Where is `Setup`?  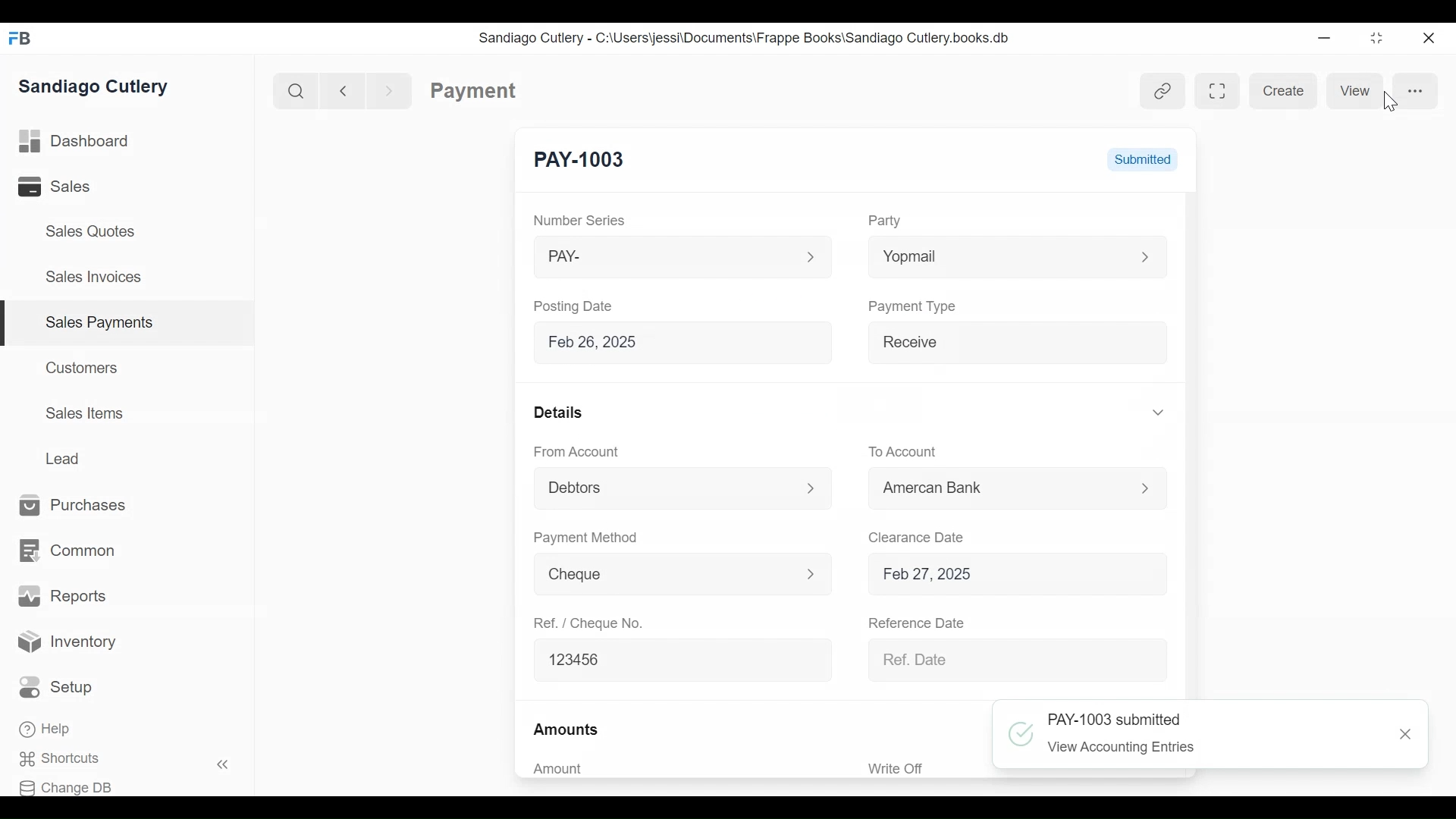 Setup is located at coordinates (60, 688).